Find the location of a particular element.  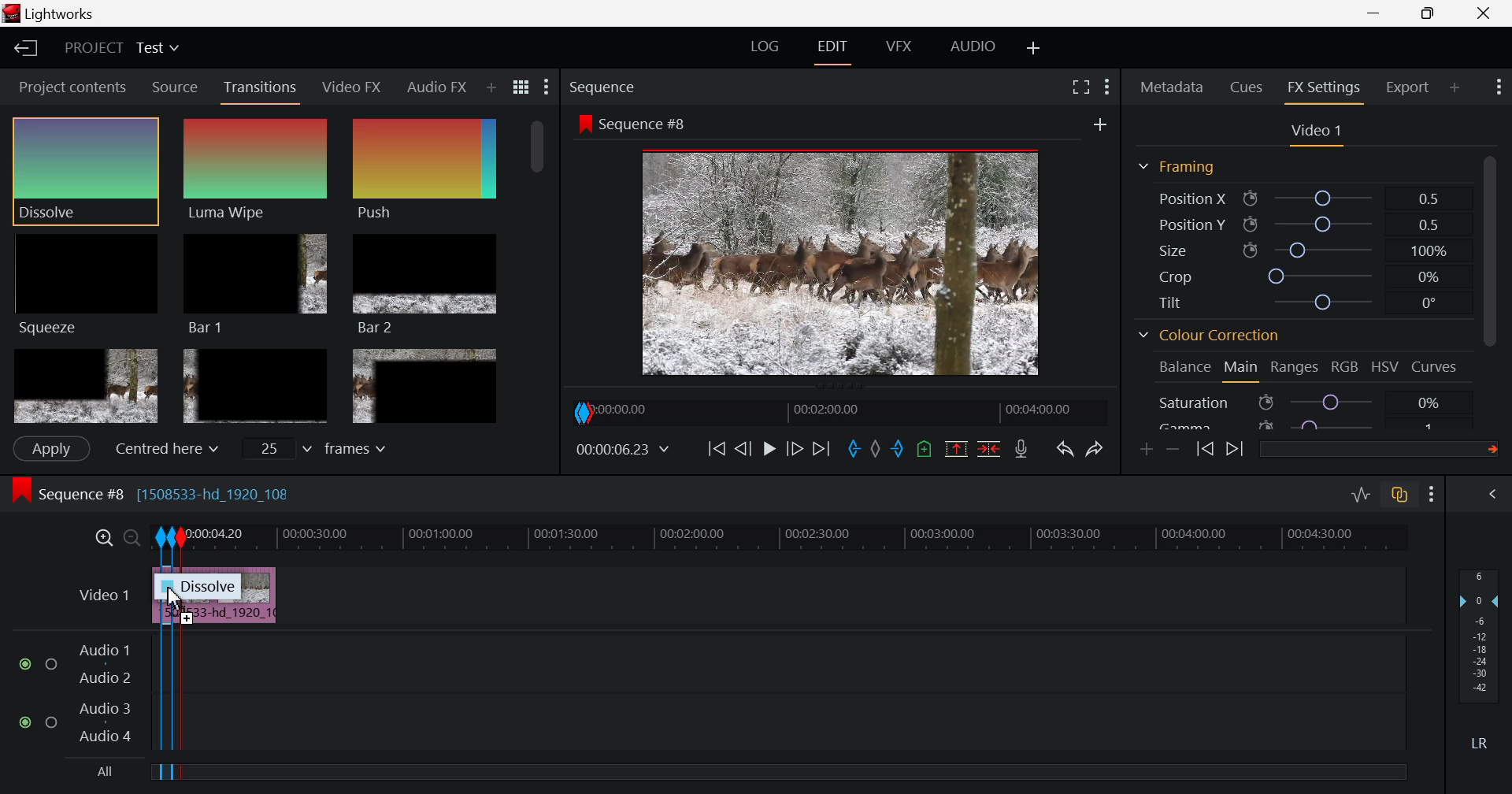

Sequence #8 [1508533-hd_1920_10 is located at coordinates (156, 492).